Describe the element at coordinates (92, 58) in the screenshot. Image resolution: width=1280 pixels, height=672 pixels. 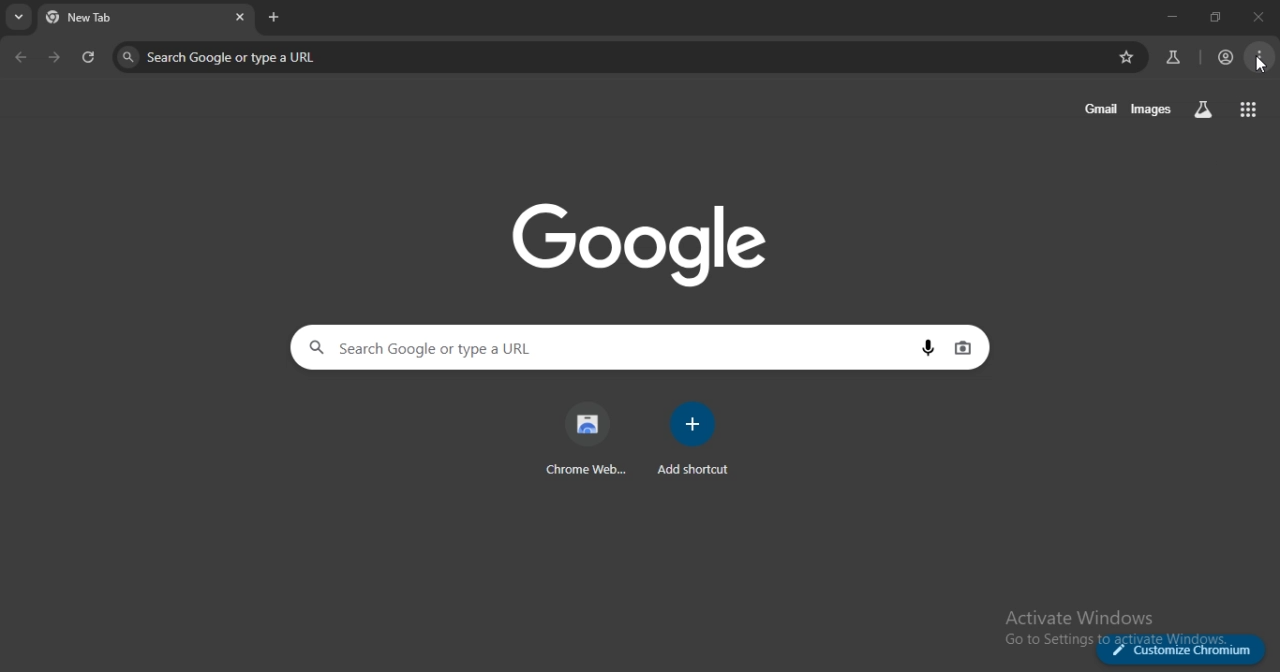
I see `reload page` at that location.